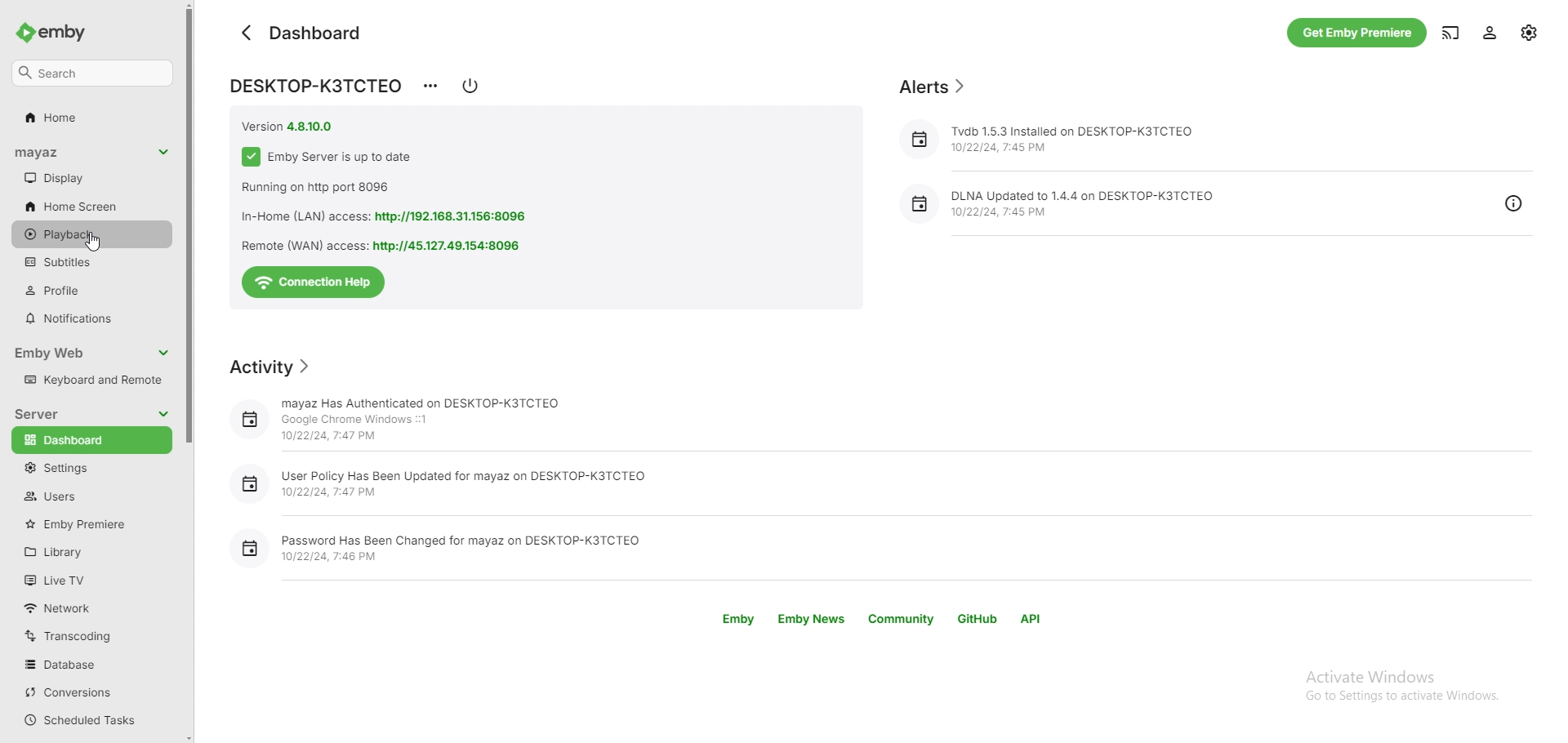  What do you see at coordinates (329, 157) in the screenshot?
I see `emby server is up to date` at bounding box center [329, 157].